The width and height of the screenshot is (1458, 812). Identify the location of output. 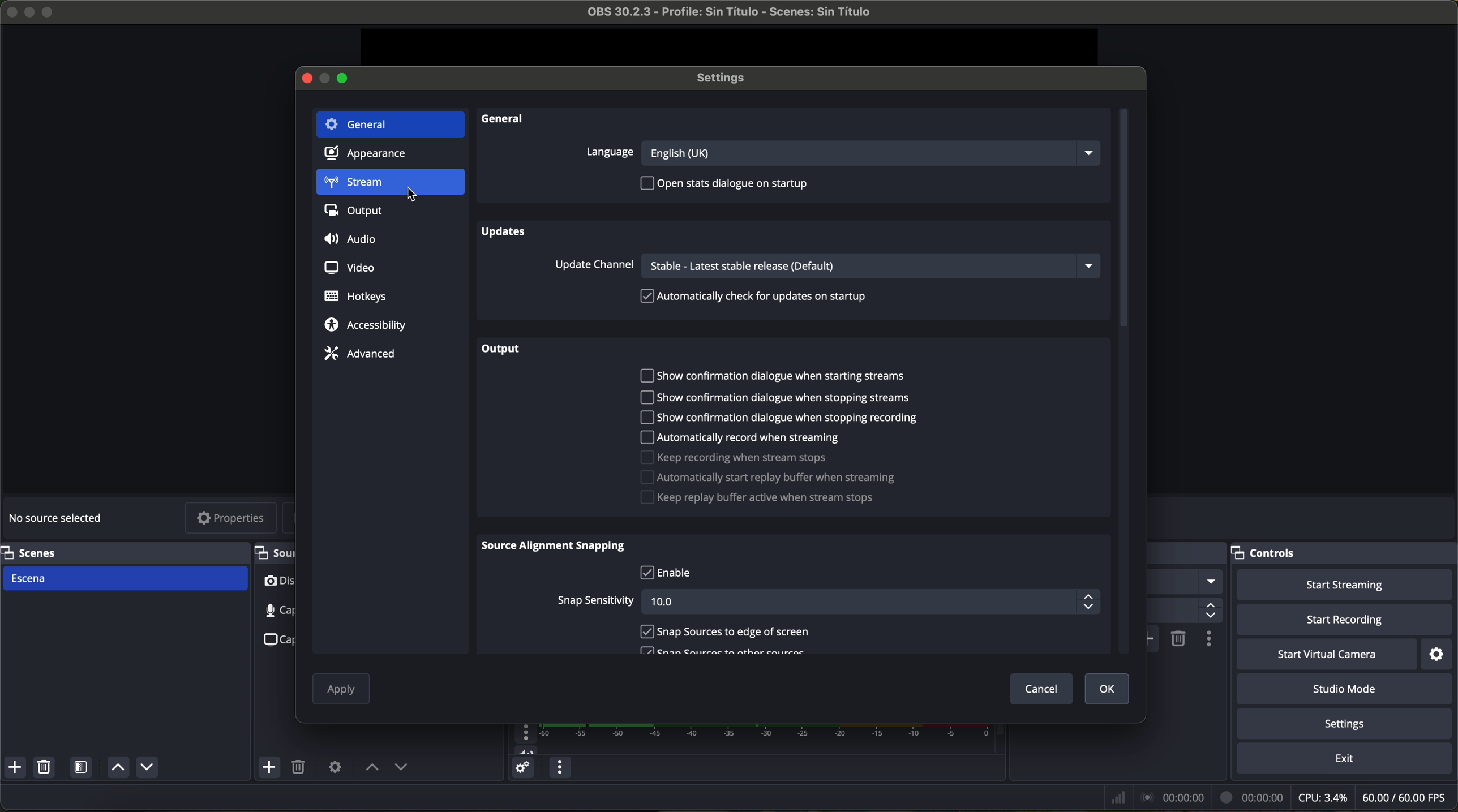
(504, 350).